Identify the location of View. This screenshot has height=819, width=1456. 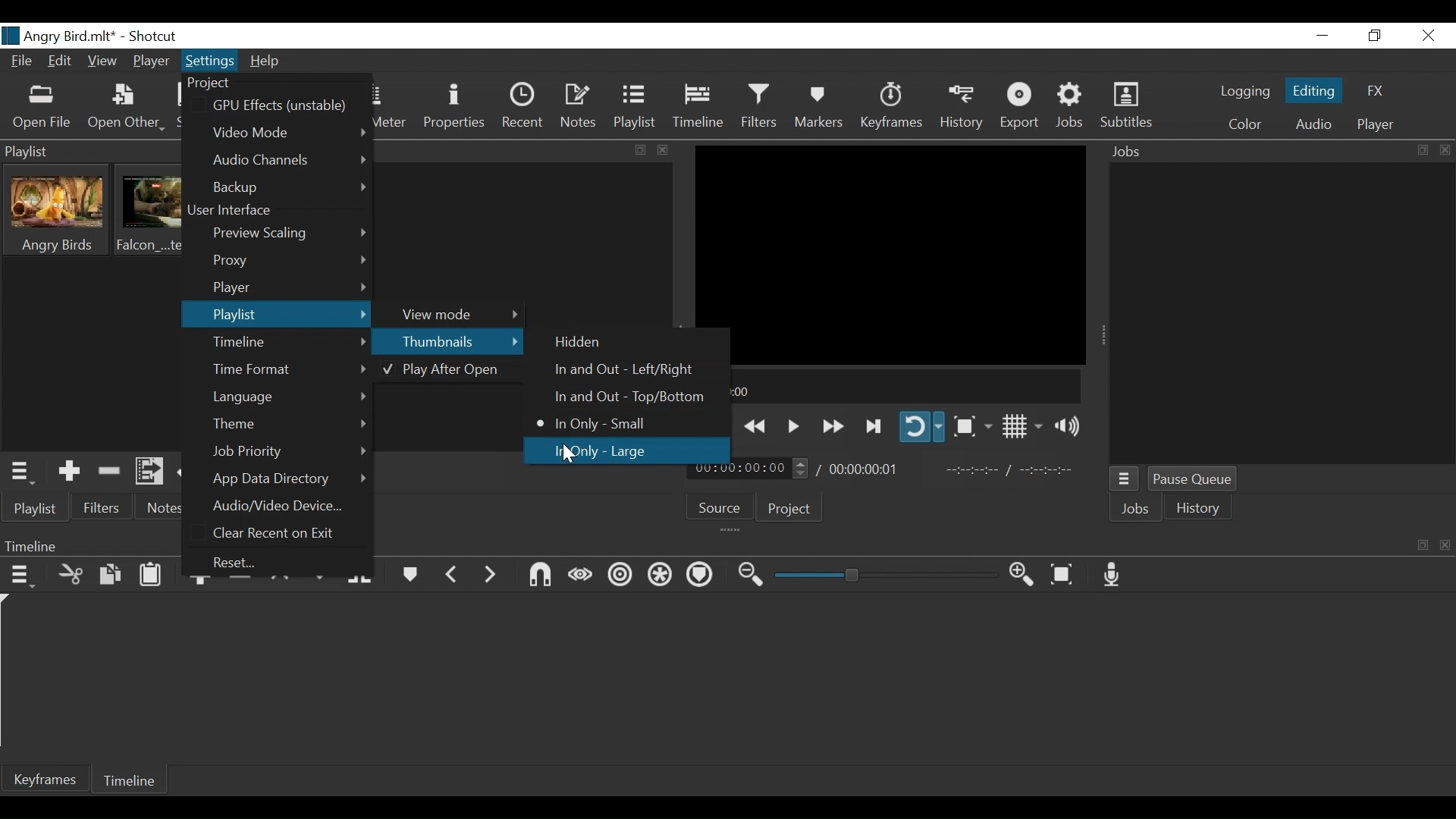
(102, 61).